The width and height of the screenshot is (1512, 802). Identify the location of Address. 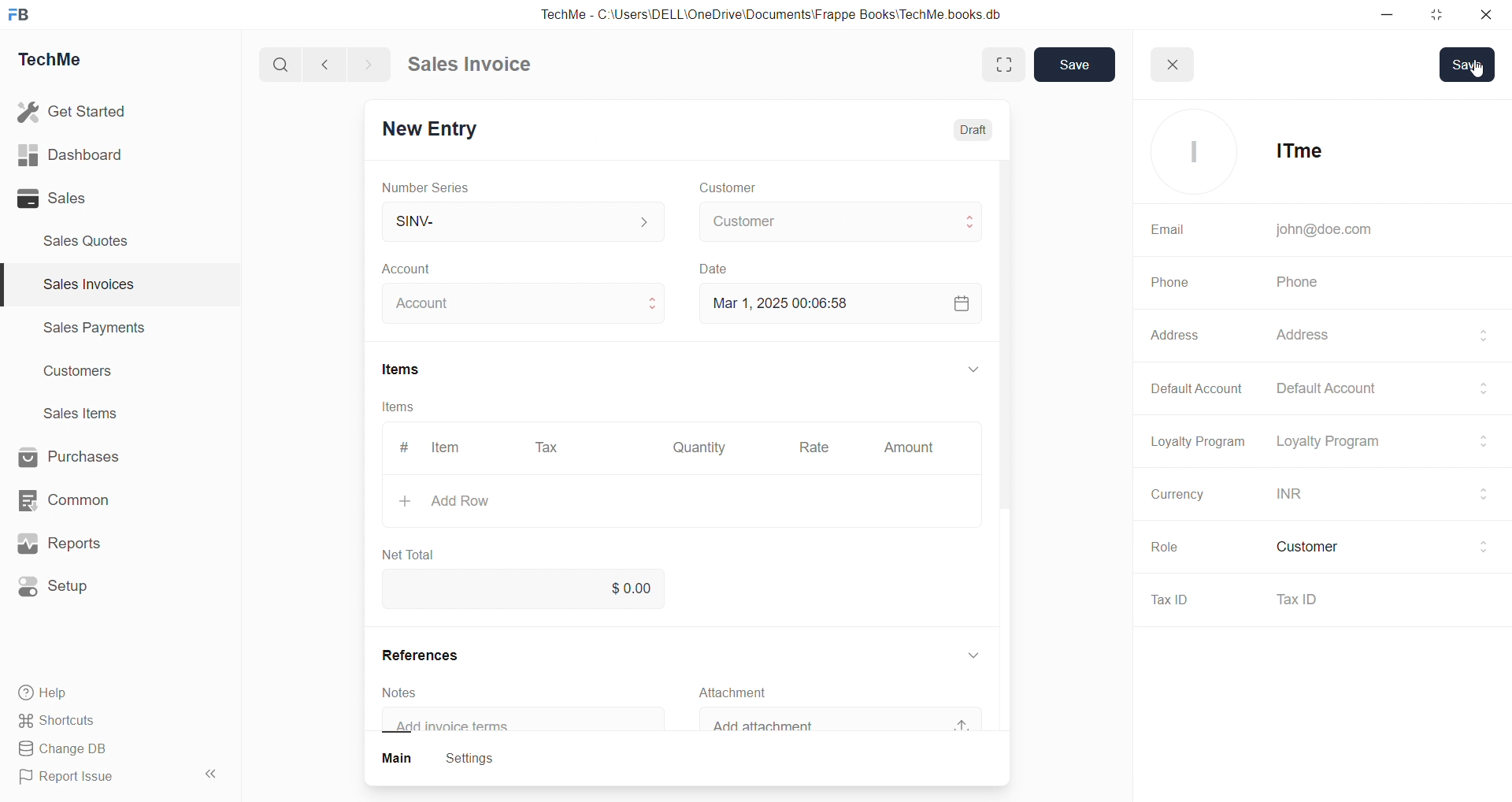
(1170, 337).